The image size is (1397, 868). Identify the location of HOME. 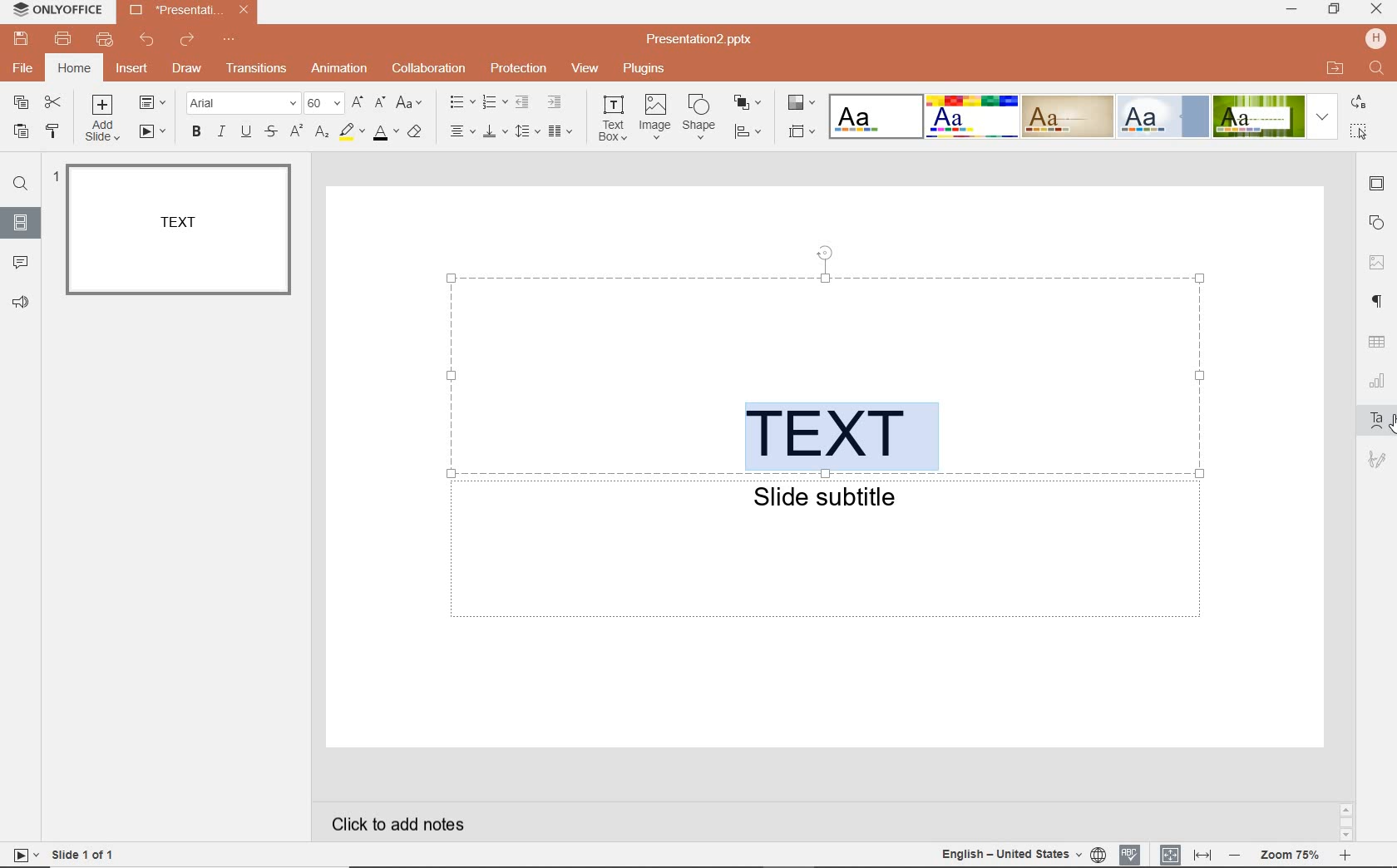
(73, 70).